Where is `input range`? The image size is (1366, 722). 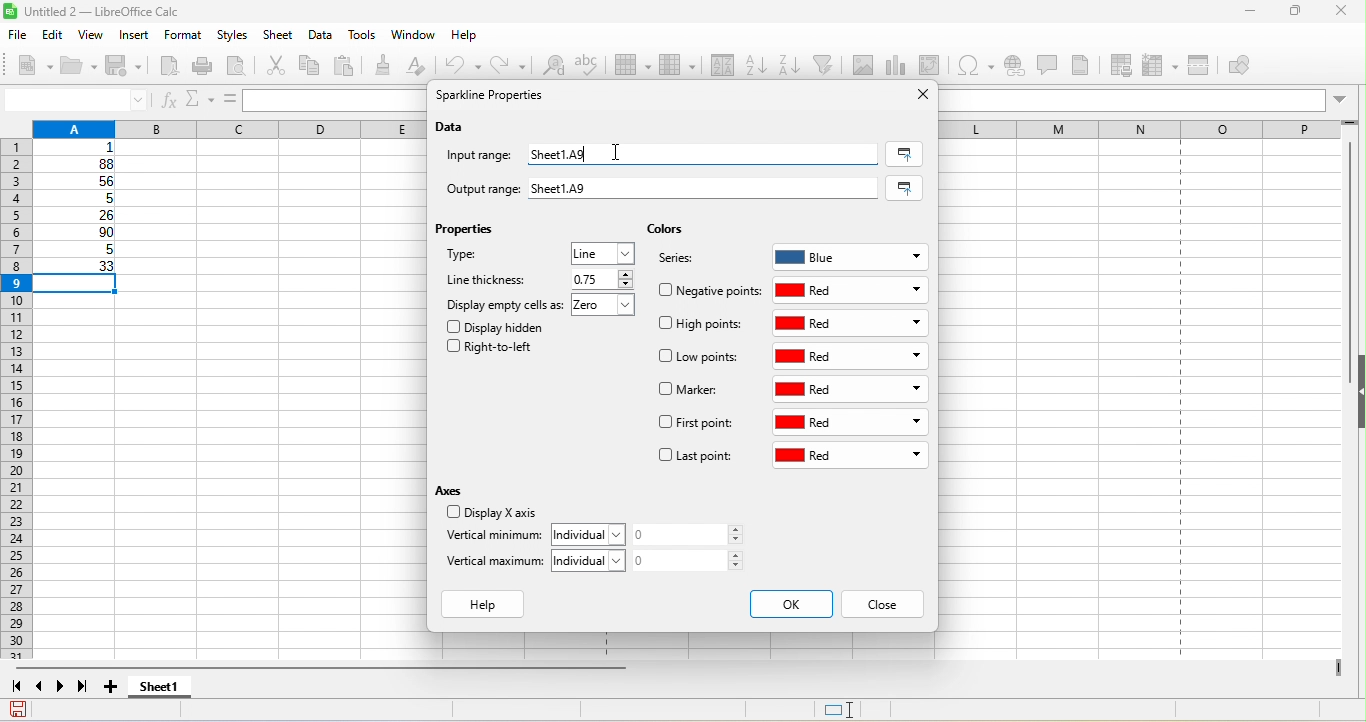 input range is located at coordinates (482, 157).